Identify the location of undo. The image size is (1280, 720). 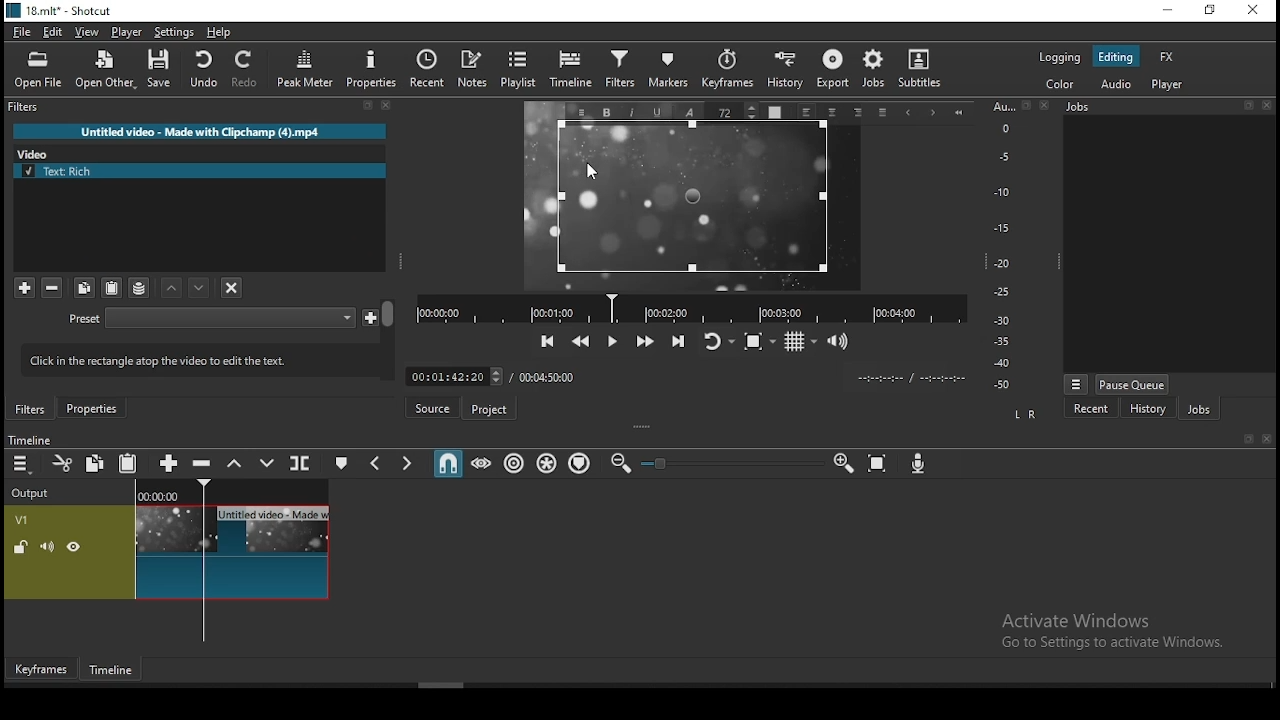
(203, 69).